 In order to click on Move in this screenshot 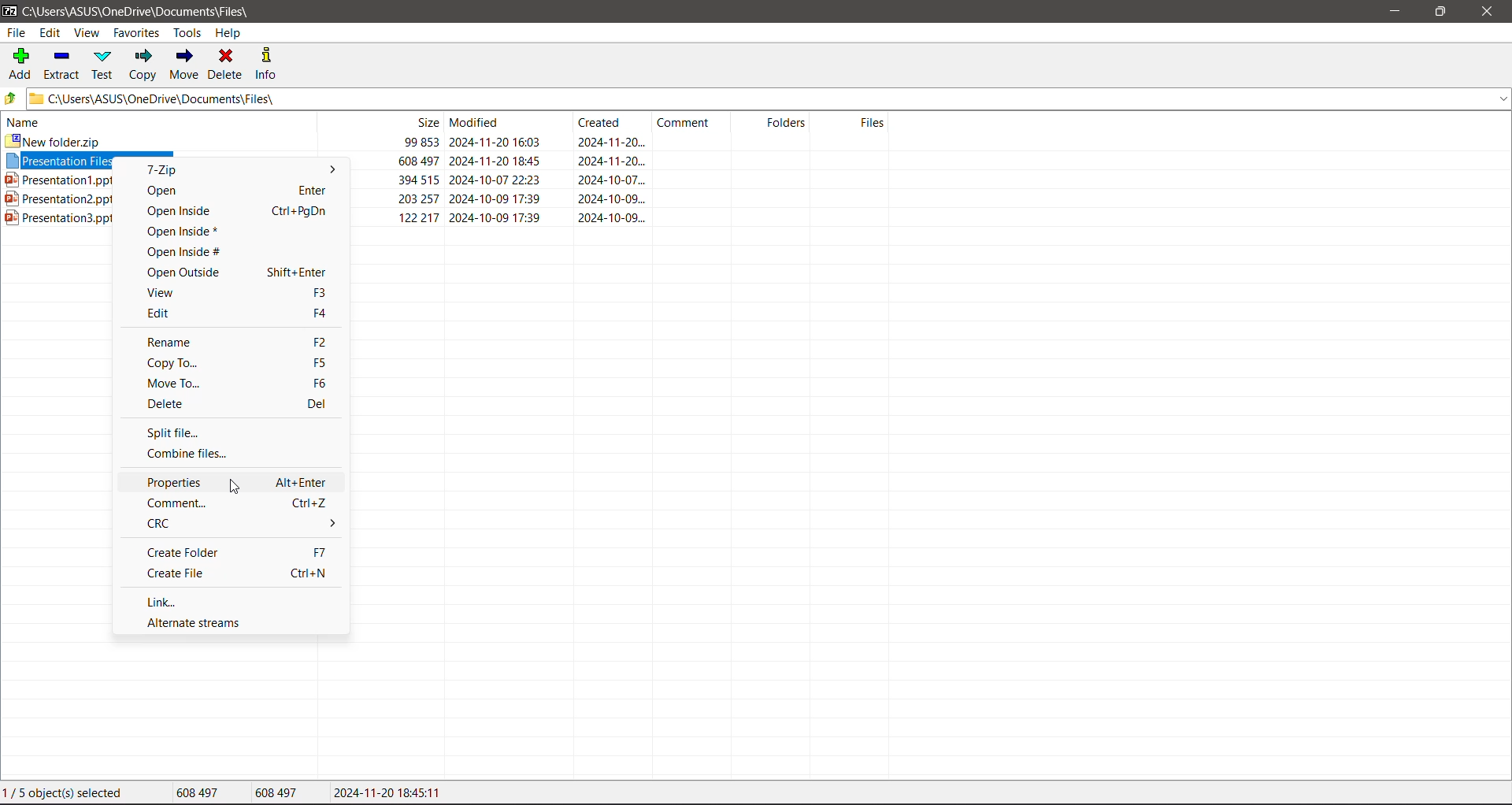, I will do `click(183, 65)`.